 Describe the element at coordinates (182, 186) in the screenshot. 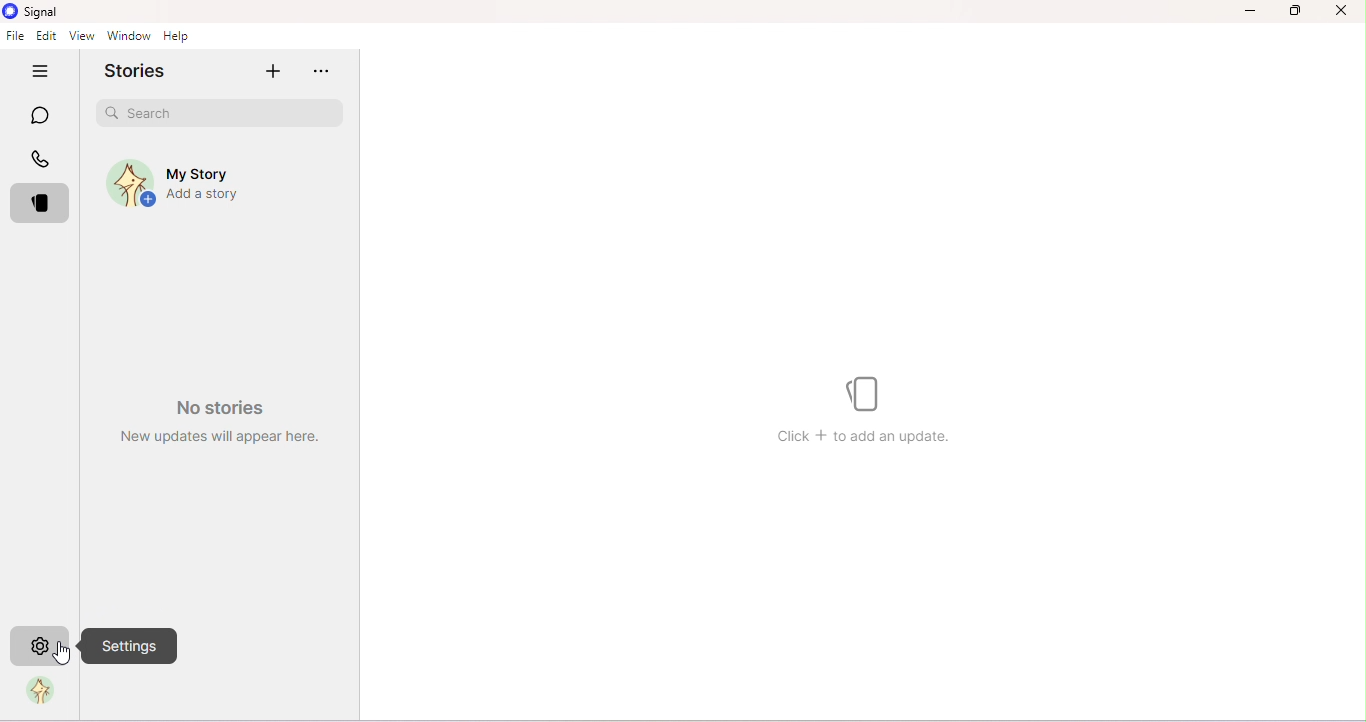

I see `My story` at that location.